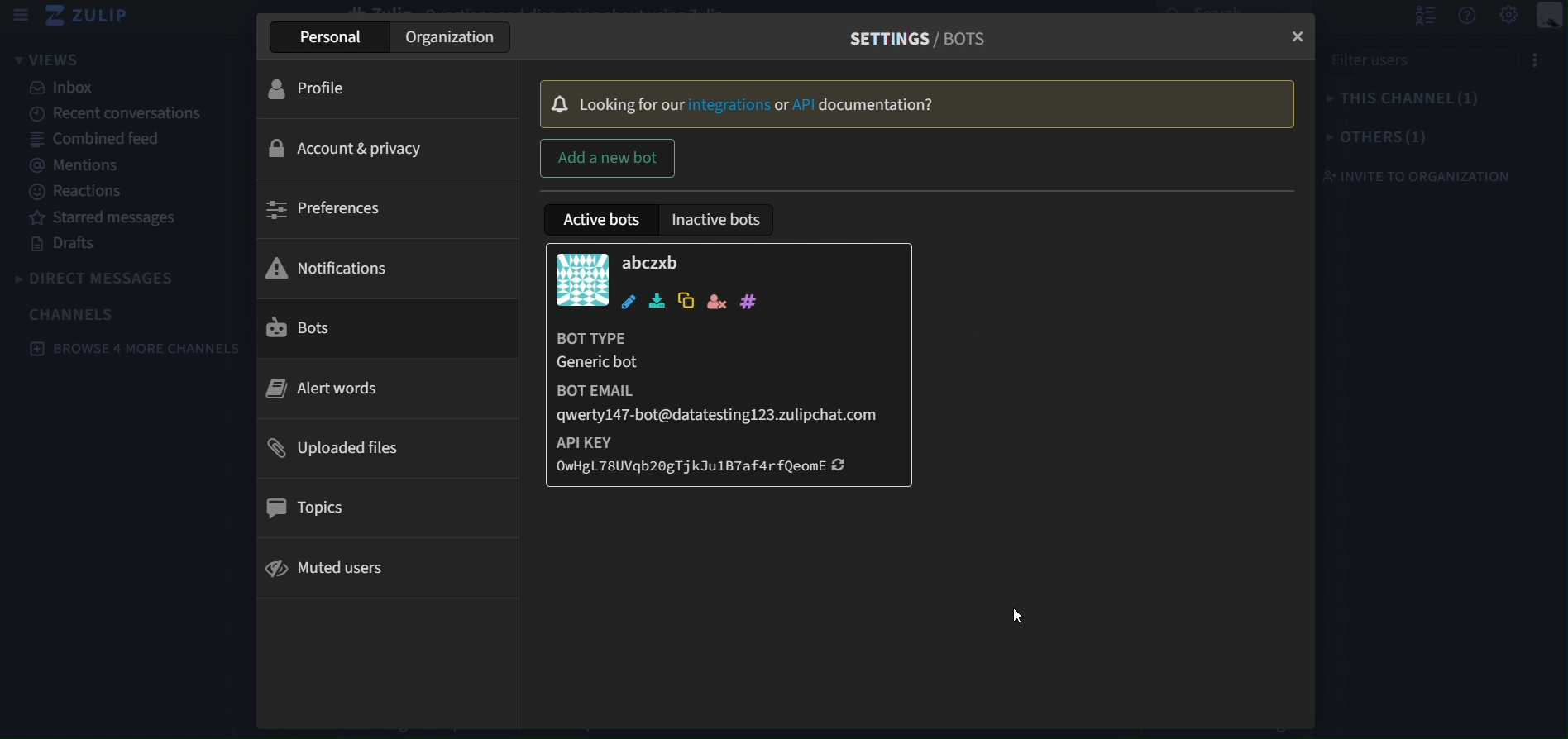  I want to click on Looking for our, so click(632, 104).